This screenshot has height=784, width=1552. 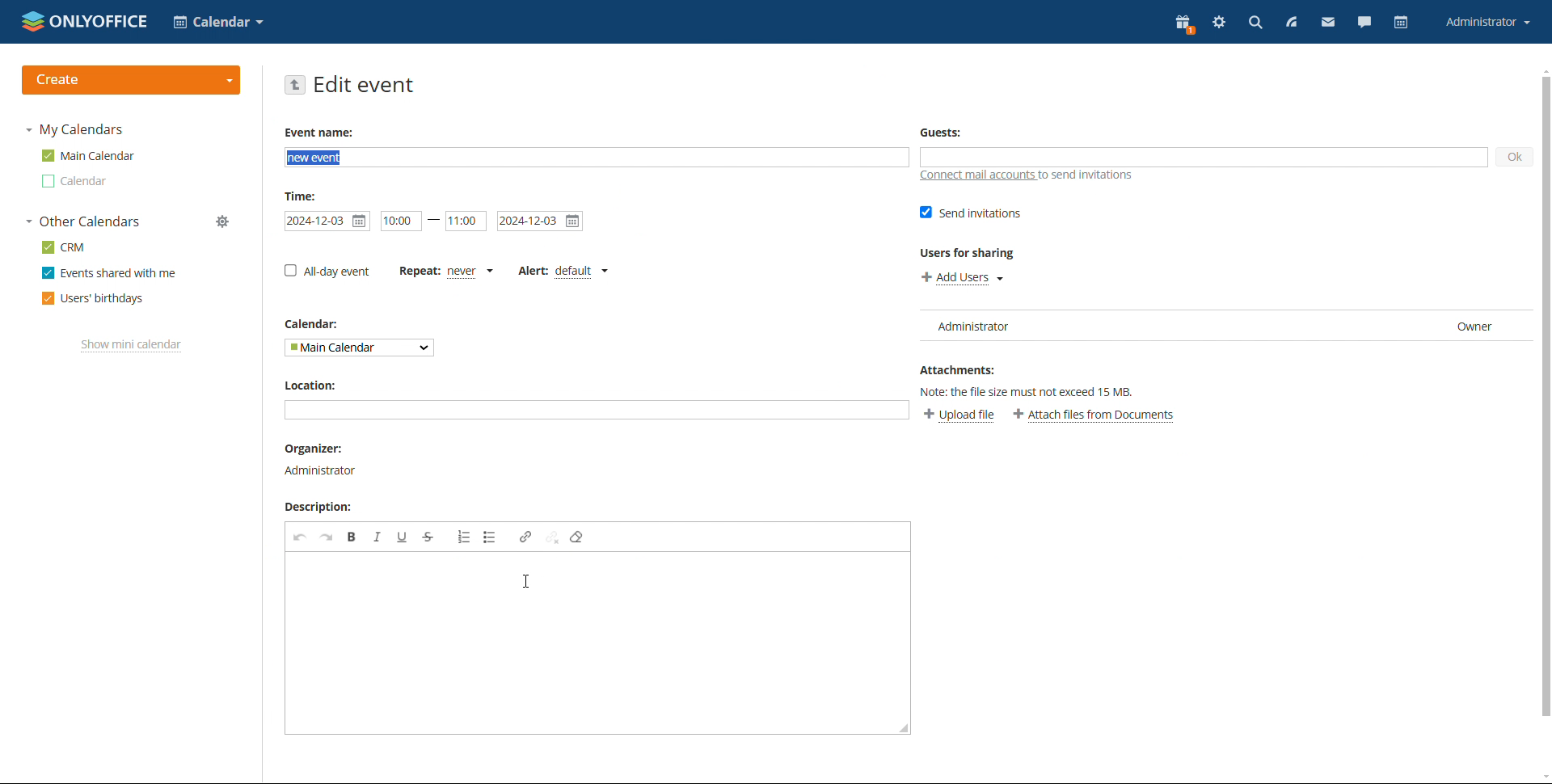 What do you see at coordinates (1488, 21) in the screenshot?
I see `account` at bounding box center [1488, 21].